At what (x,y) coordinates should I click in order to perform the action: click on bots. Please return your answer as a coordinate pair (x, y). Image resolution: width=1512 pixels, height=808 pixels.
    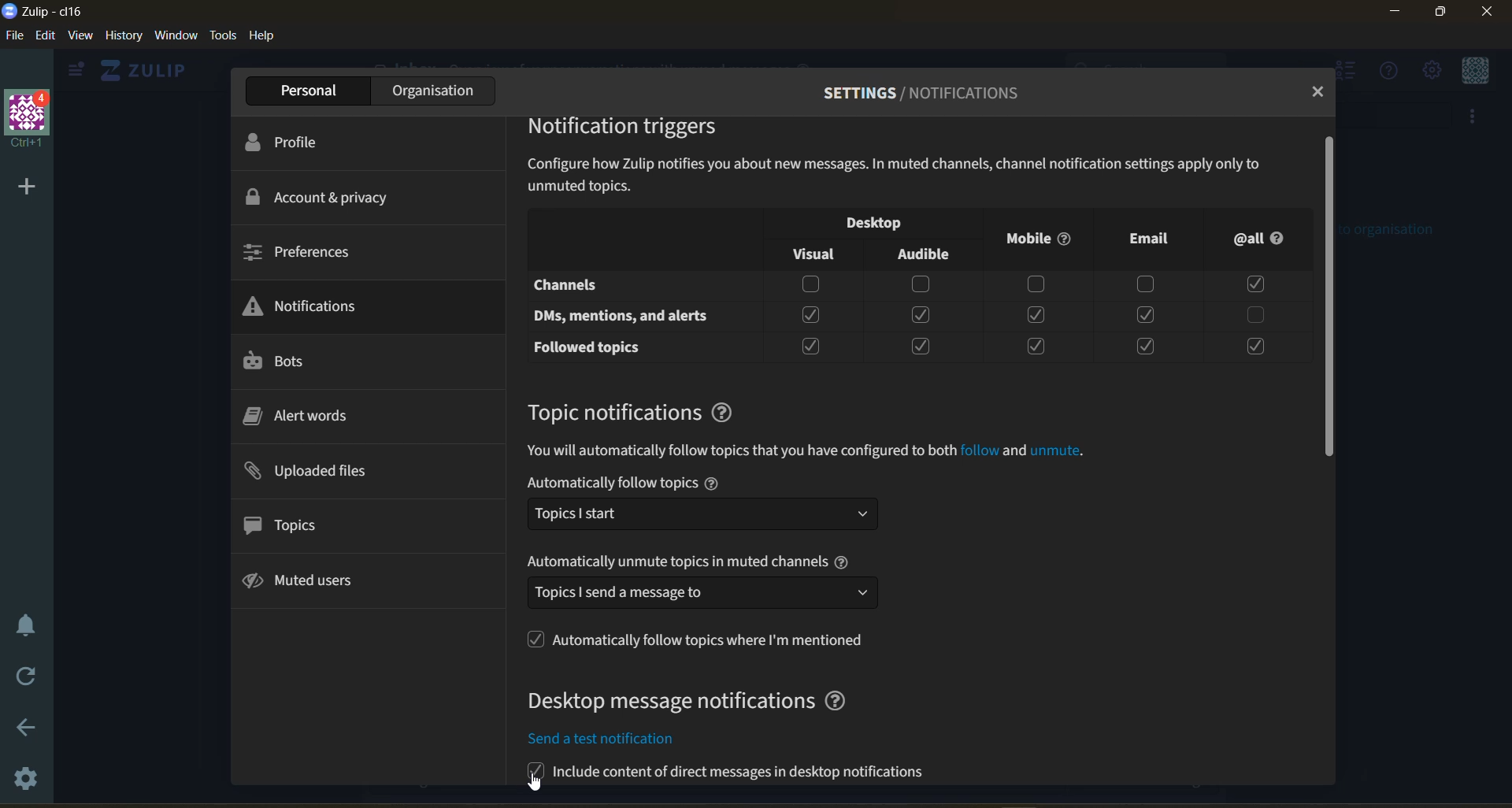
    Looking at the image, I should click on (289, 361).